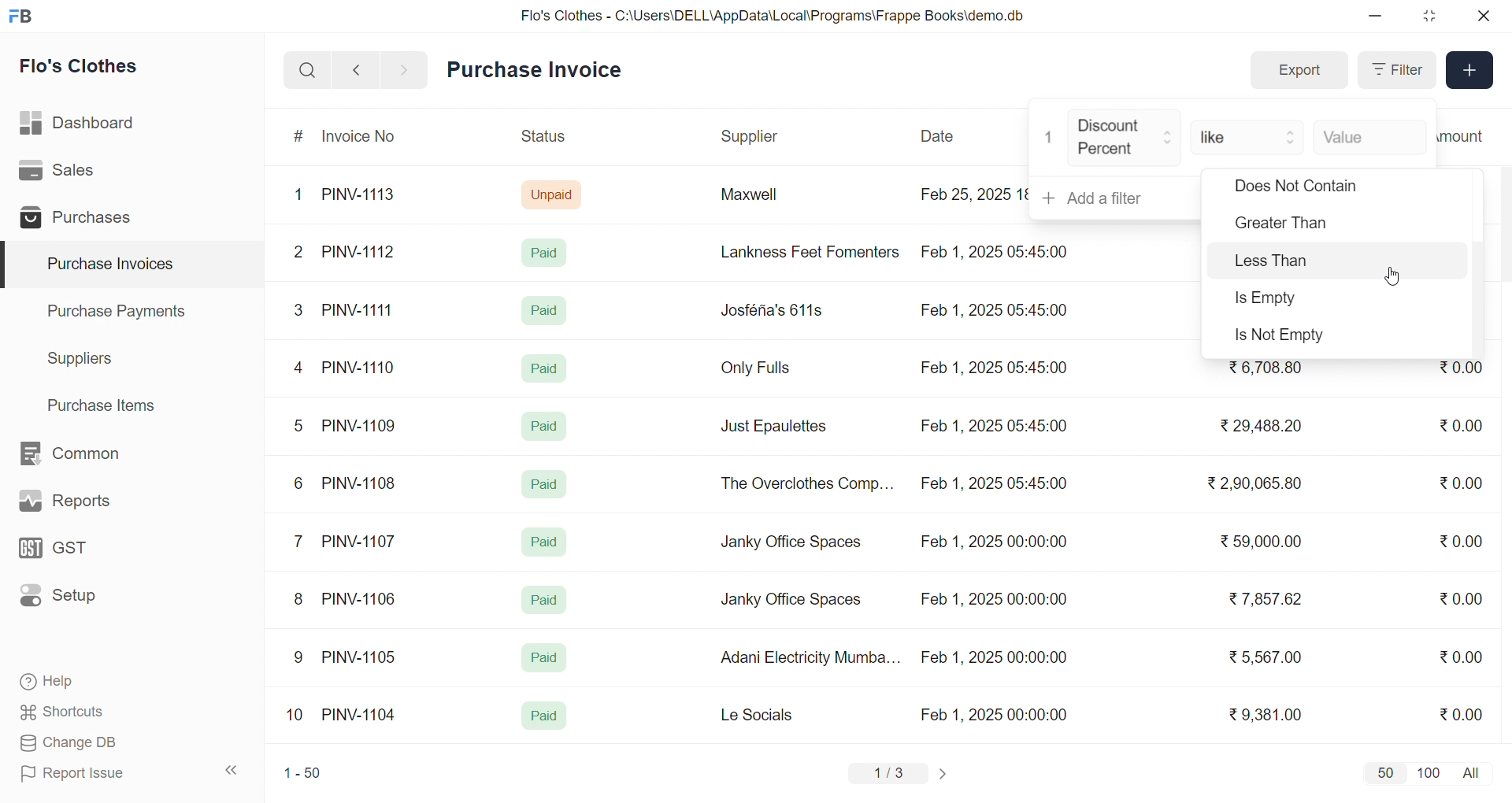 The width and height of the screenshot is (1512, 803). I want to click on 6, so click(298, 483).